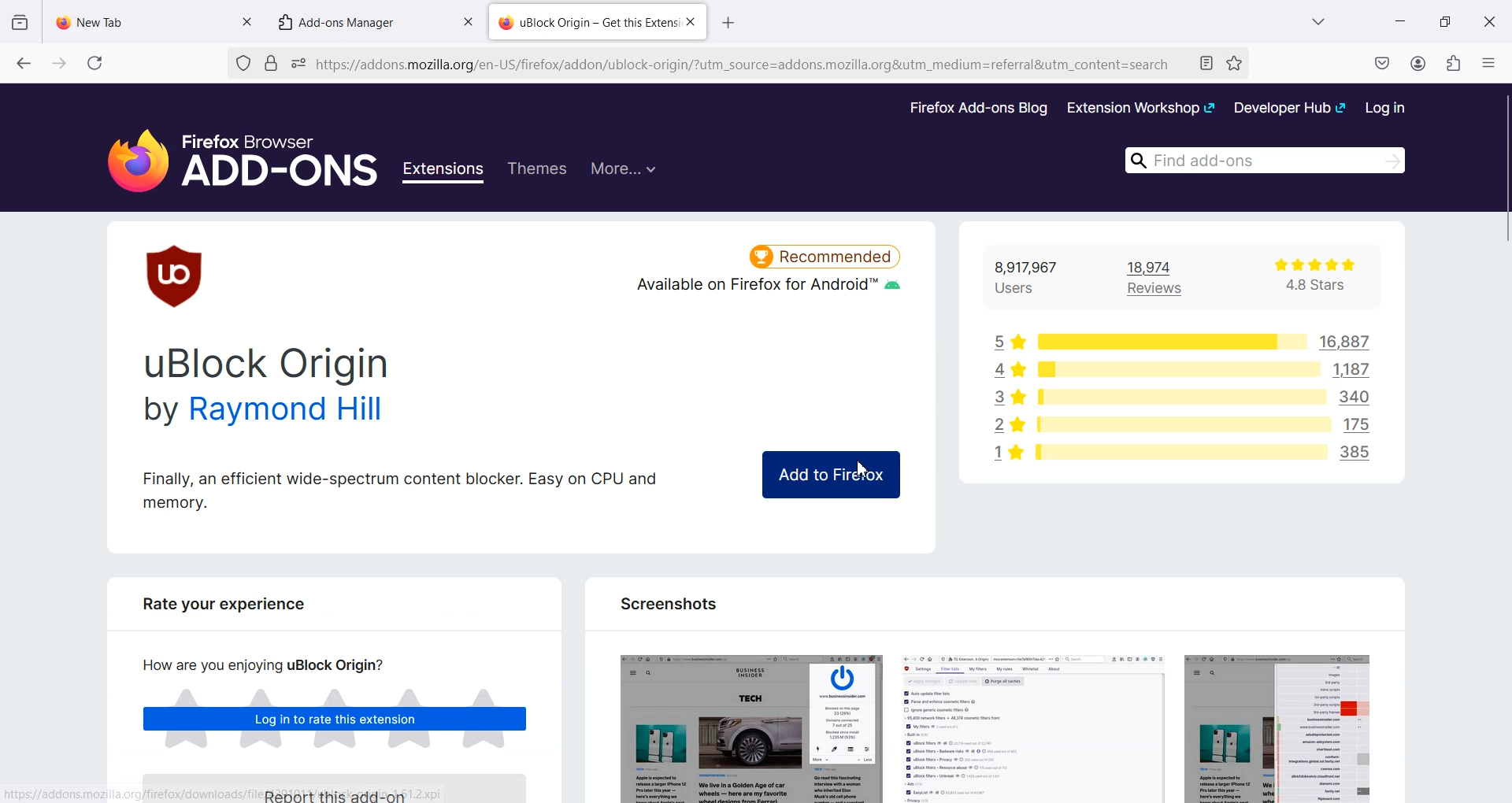 Image resolution: width=1512 pixels, height=803 pixels. I want to click on Bookmark this page, so click(1233, 63).